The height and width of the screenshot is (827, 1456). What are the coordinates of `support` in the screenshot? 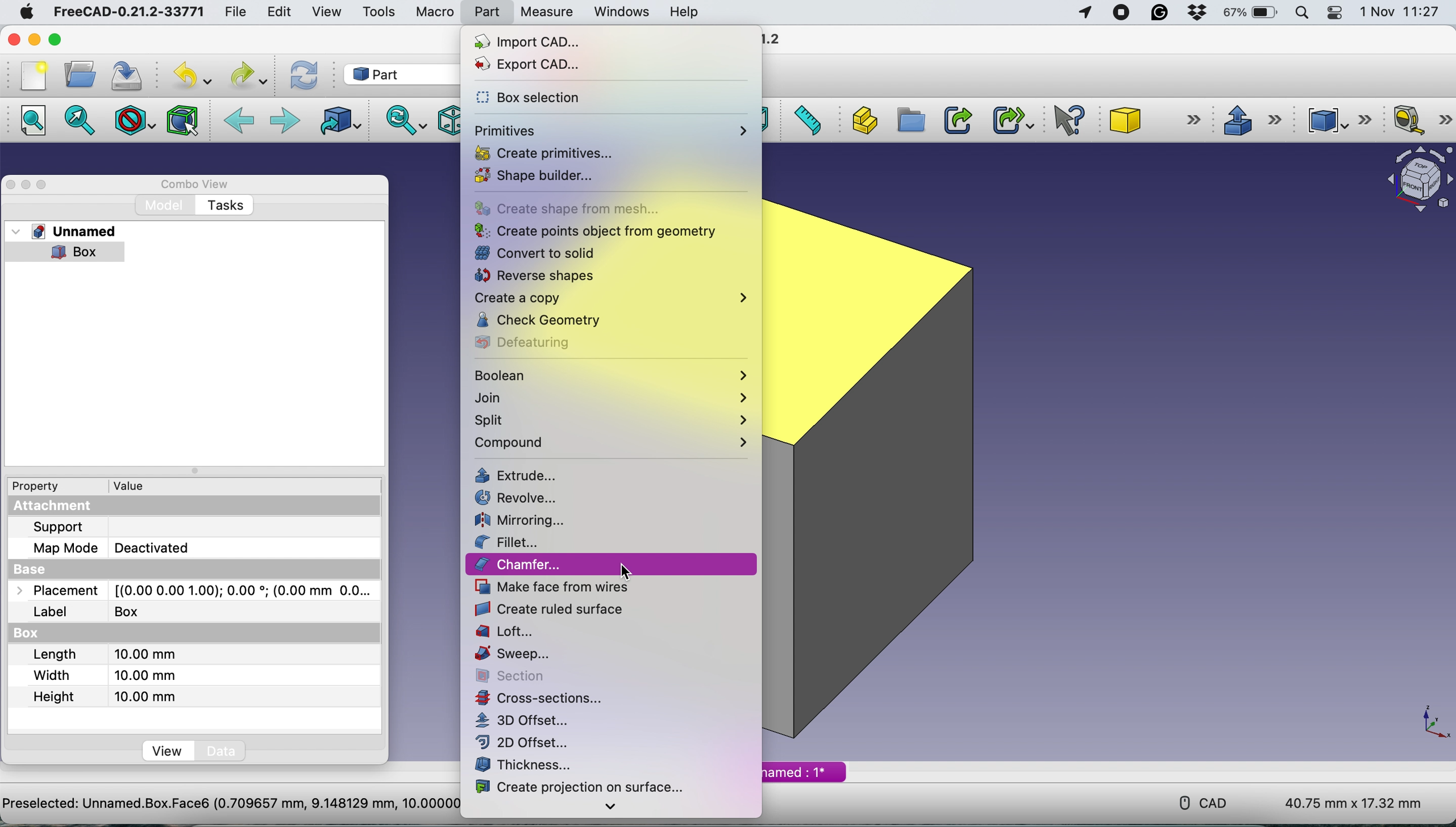 It's located at (66, 528).